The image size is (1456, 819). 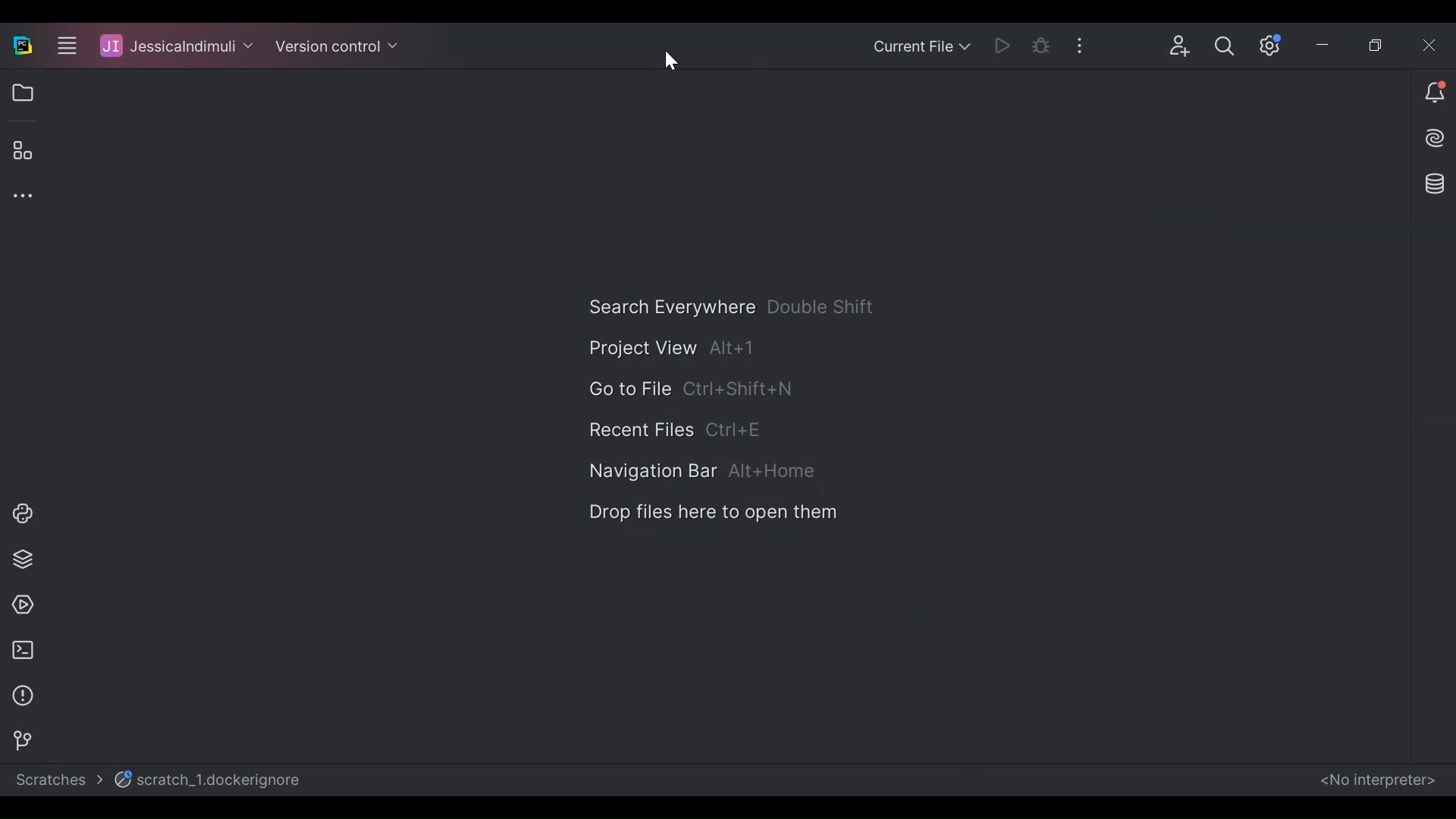 I want to click on Drop files here to open them, so click(x=711, y=513).